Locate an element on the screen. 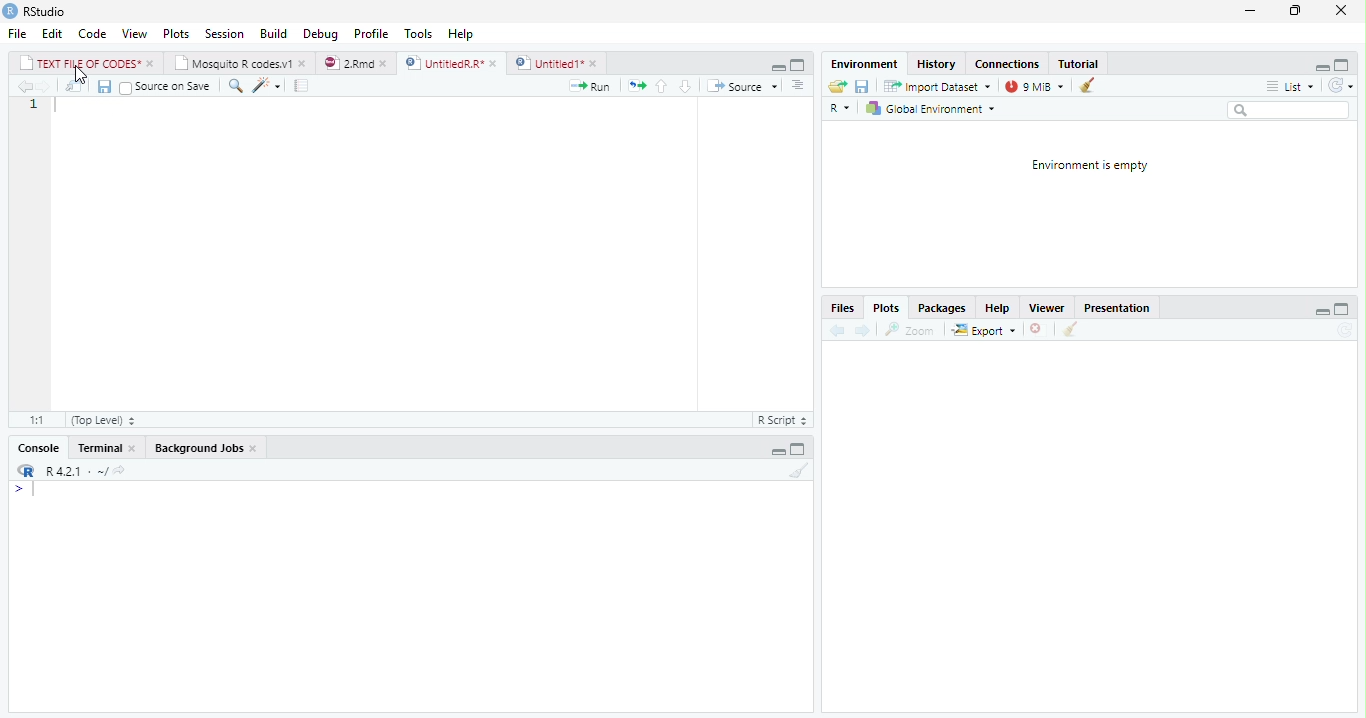  2rmd is located at coordinates (356, 62).